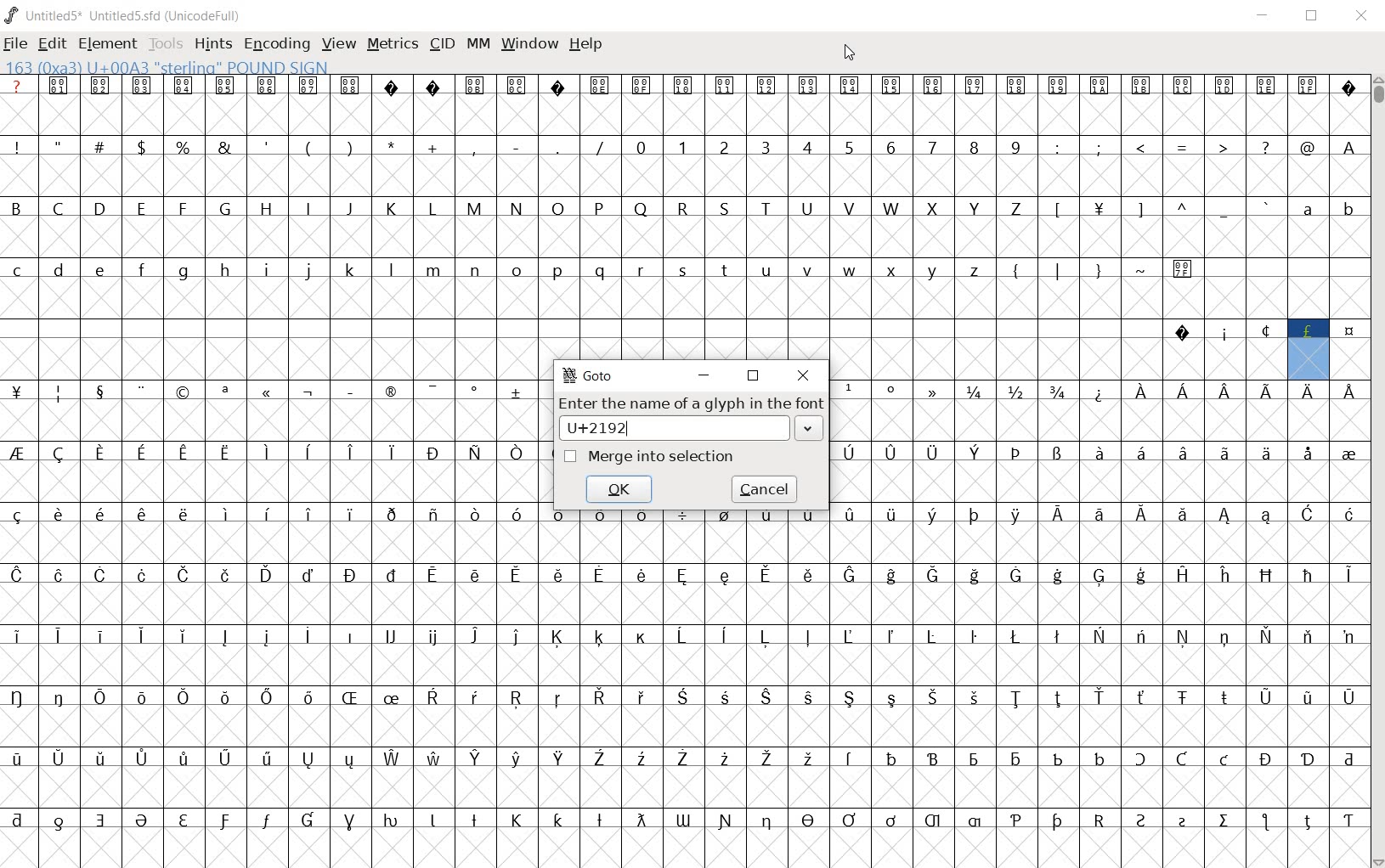 This screenshot has height=868, width=1385. What do you see at coordinates (756, 376) in the screenshot?
I see `restore down` at bounding box center [756, 376].